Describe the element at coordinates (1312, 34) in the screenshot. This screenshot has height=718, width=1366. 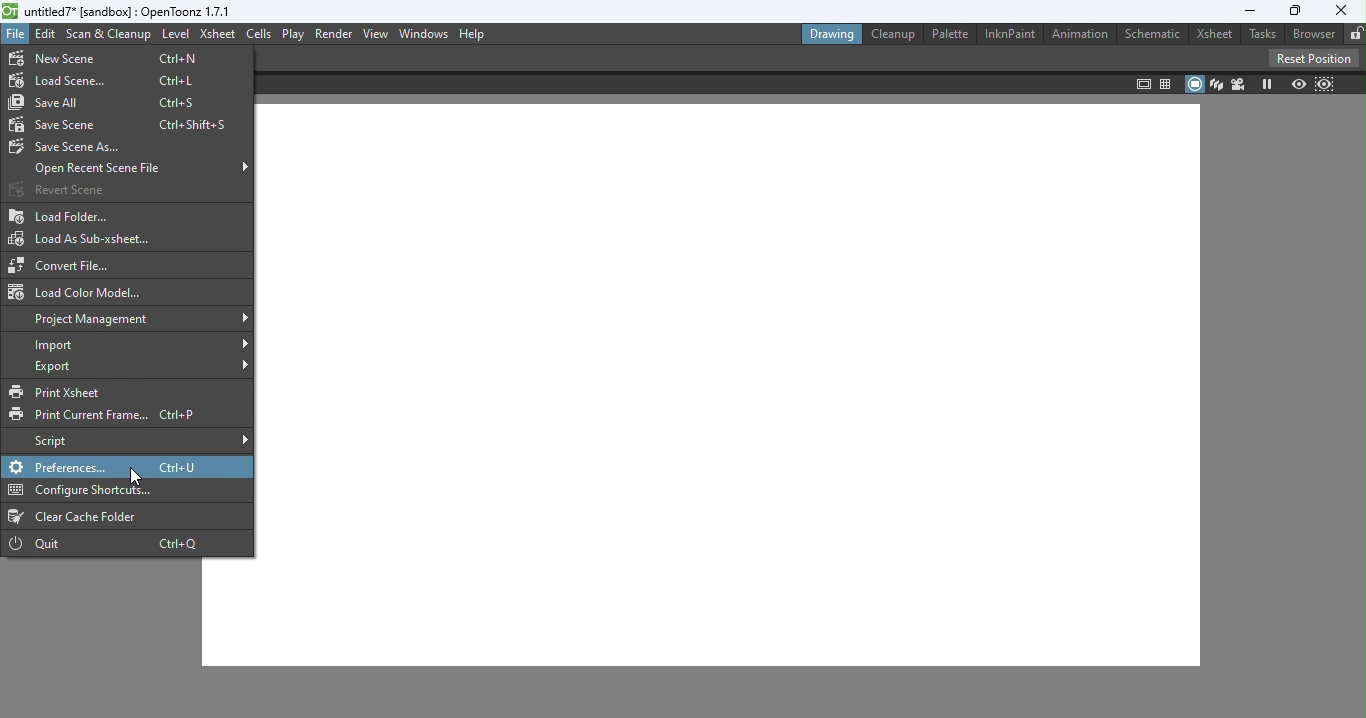
I see `Browser` at that location.